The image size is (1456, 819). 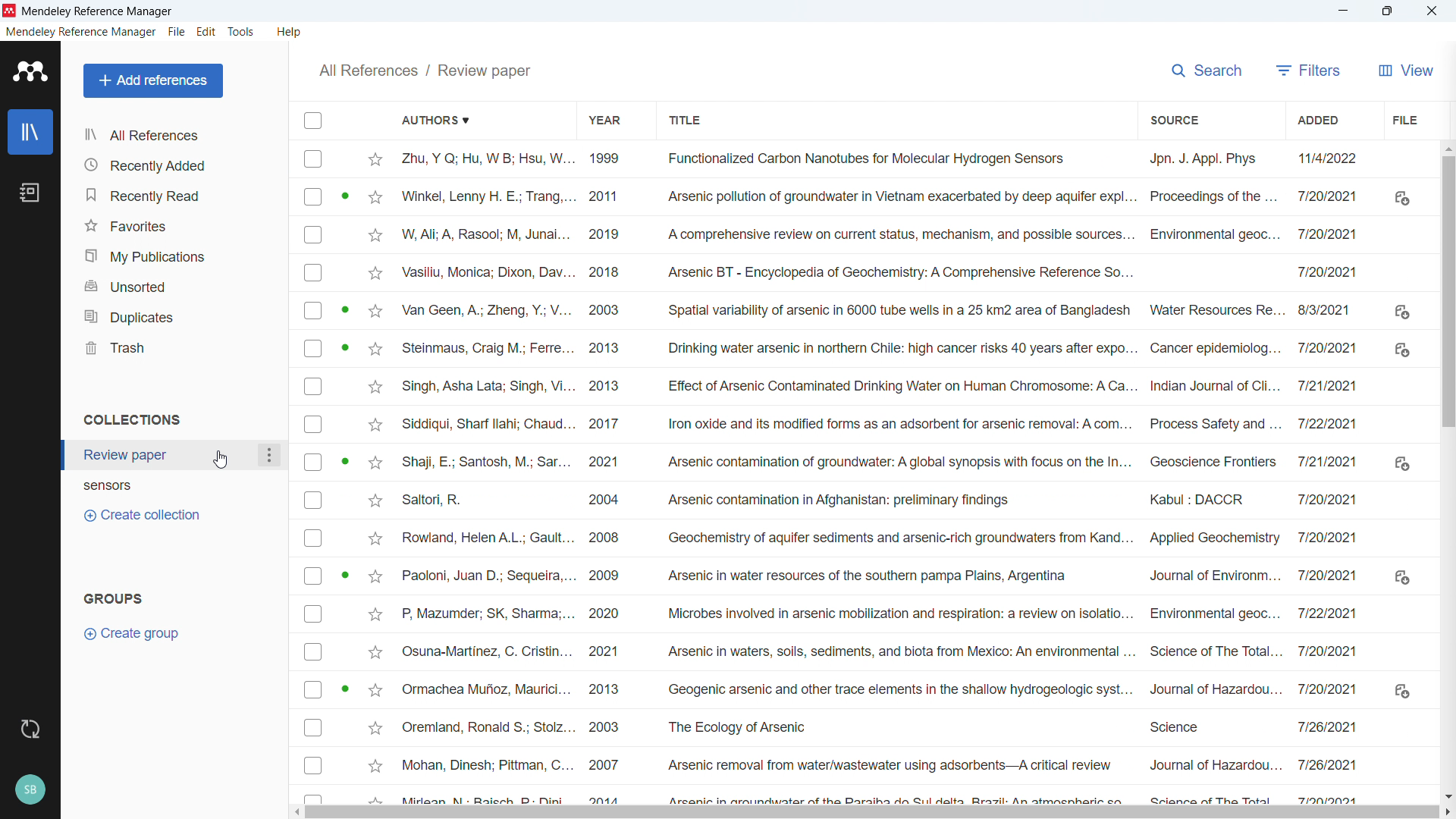 What do you see at coordinates (344, 346) in the screenshot?
I see `PDF available` at bounding box center [344, 346].